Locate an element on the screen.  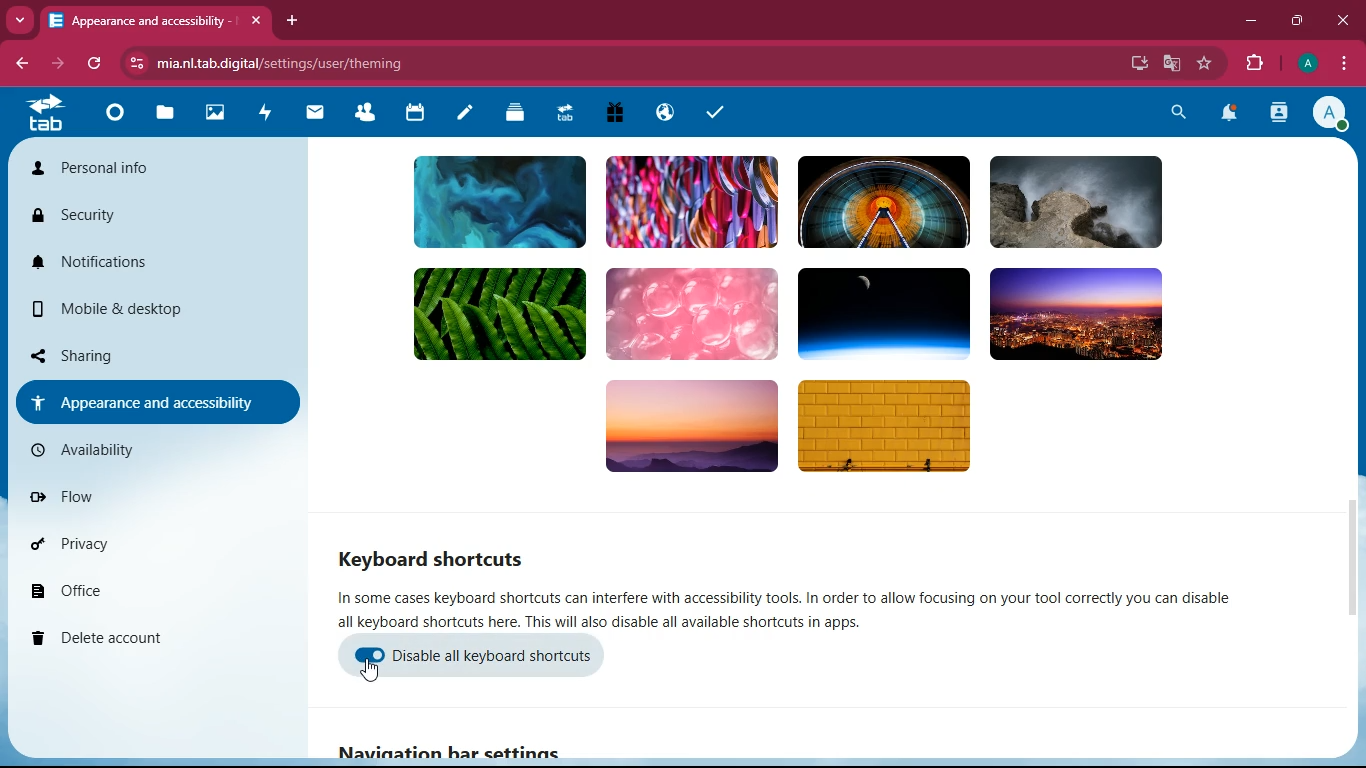
notifications is located at coordinates (143, 263).